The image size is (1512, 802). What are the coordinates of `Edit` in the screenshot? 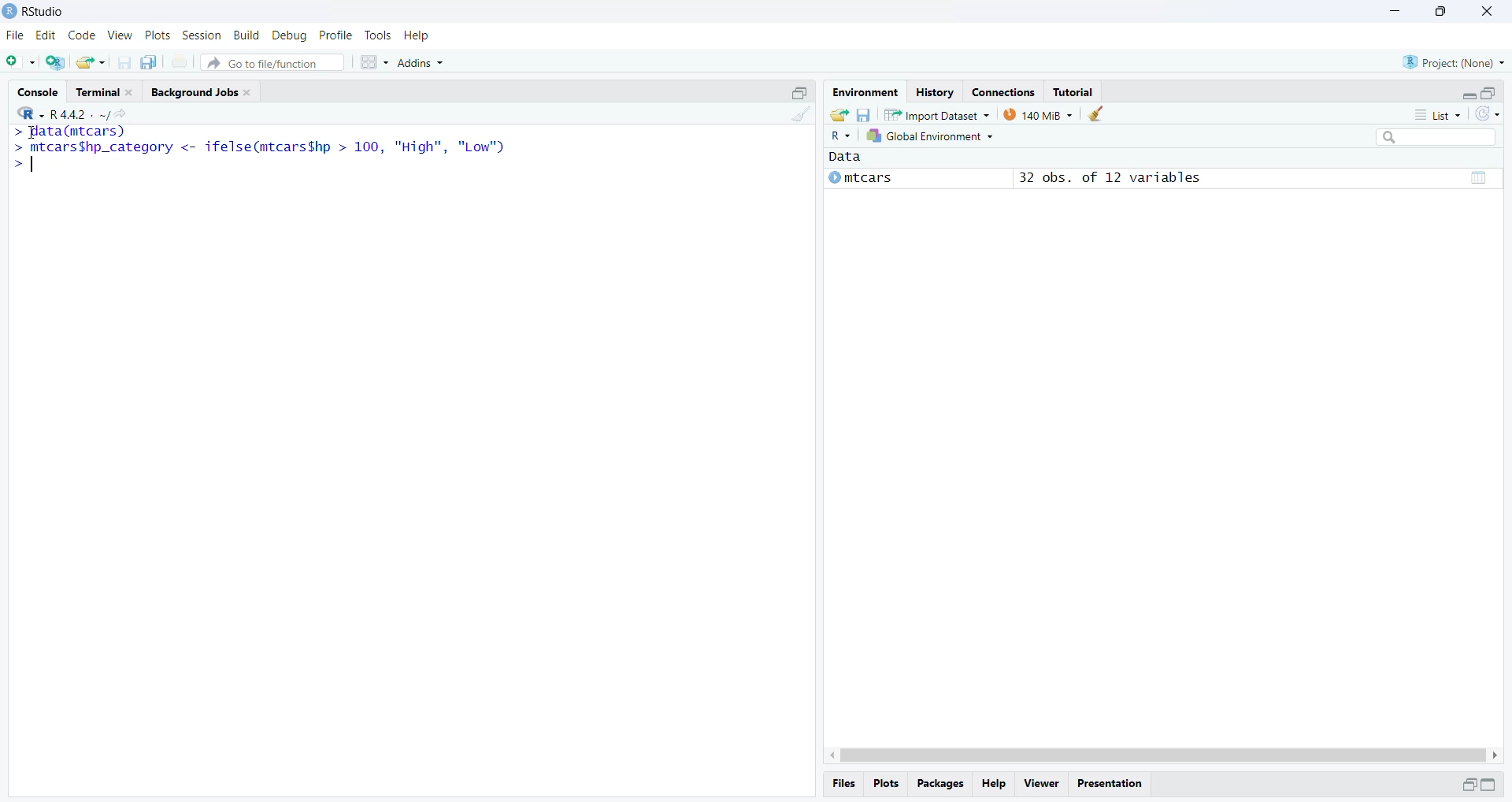 It's located at (46, 36).